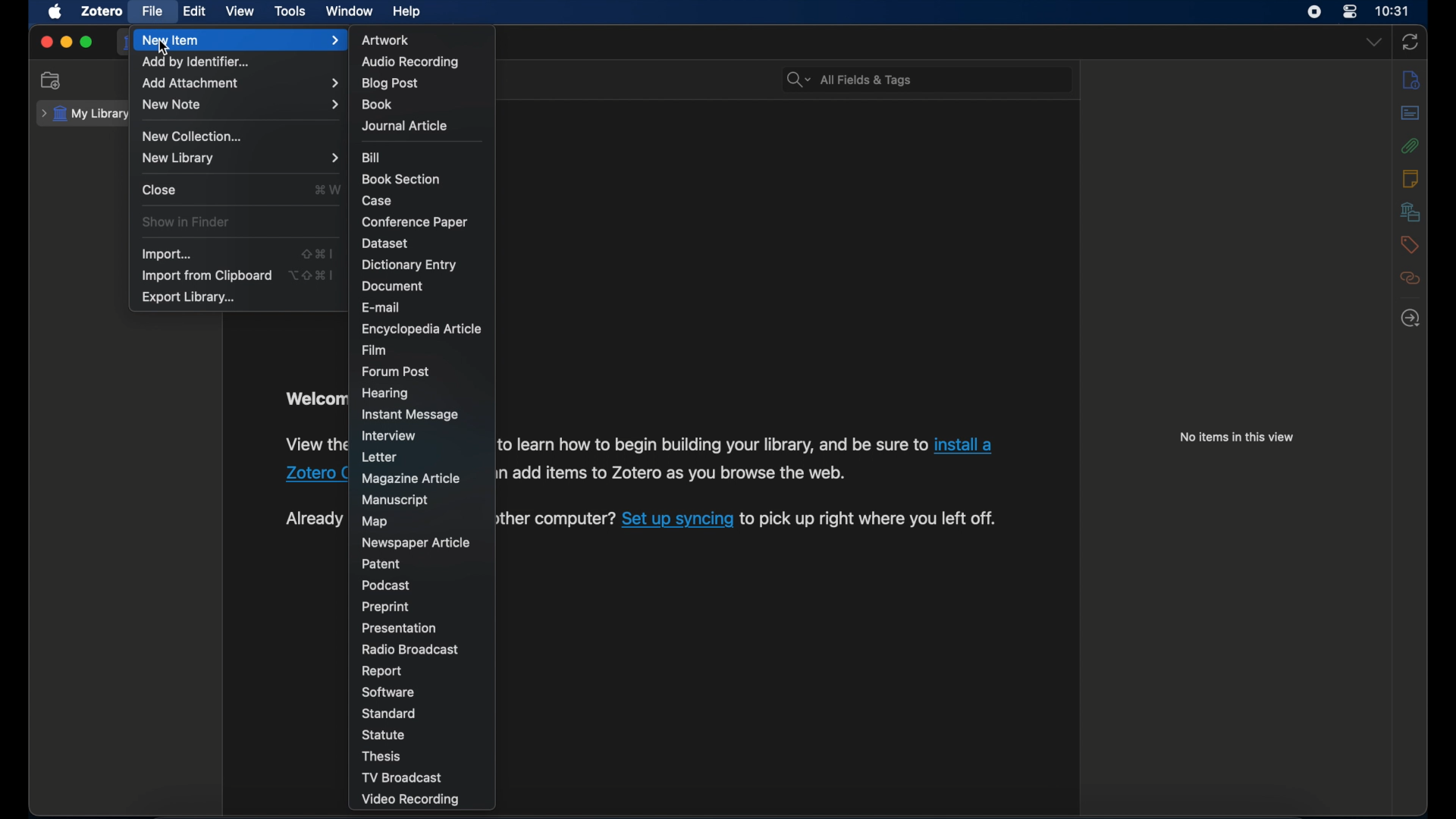 This screenshot has width=1456, height=819. Describe the element at coordinates (1410, 42) in the screenshot. I see `sync` at that location.